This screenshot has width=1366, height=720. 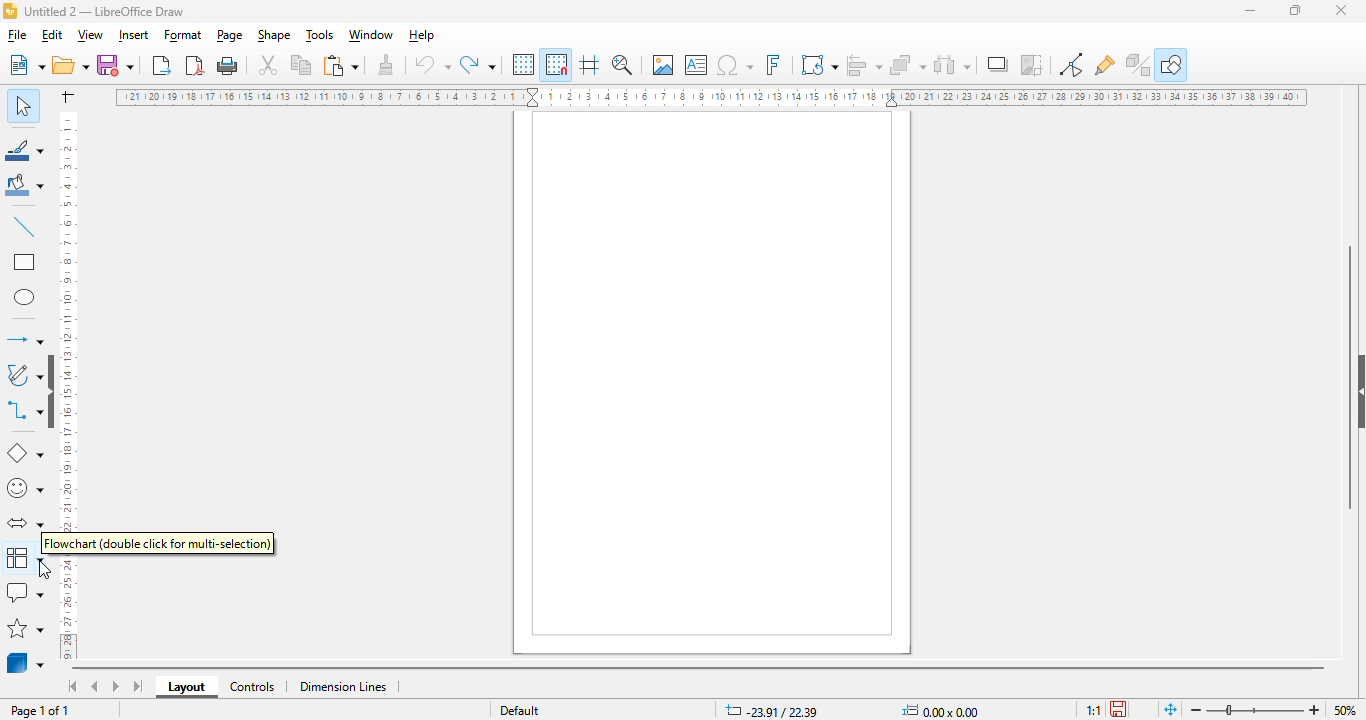 What do you see at coordinates (710, 96) in the screenshot?
I see `ruler` at bounding box center [710, 96].